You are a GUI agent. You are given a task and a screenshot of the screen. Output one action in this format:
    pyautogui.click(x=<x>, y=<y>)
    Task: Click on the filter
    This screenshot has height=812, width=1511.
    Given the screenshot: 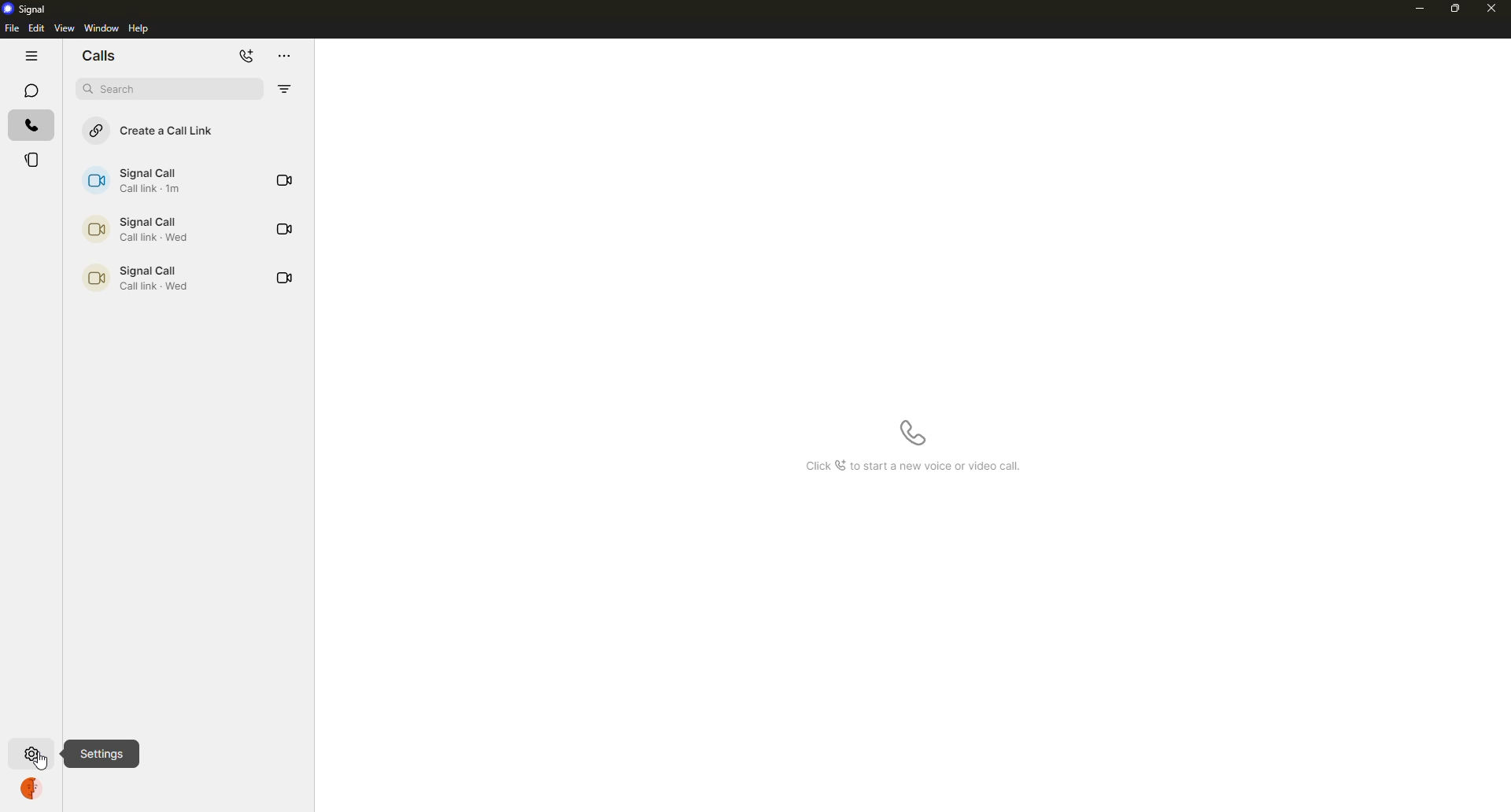 What is the action you would take?
    pyautogui.click(x=283, y=90)
    